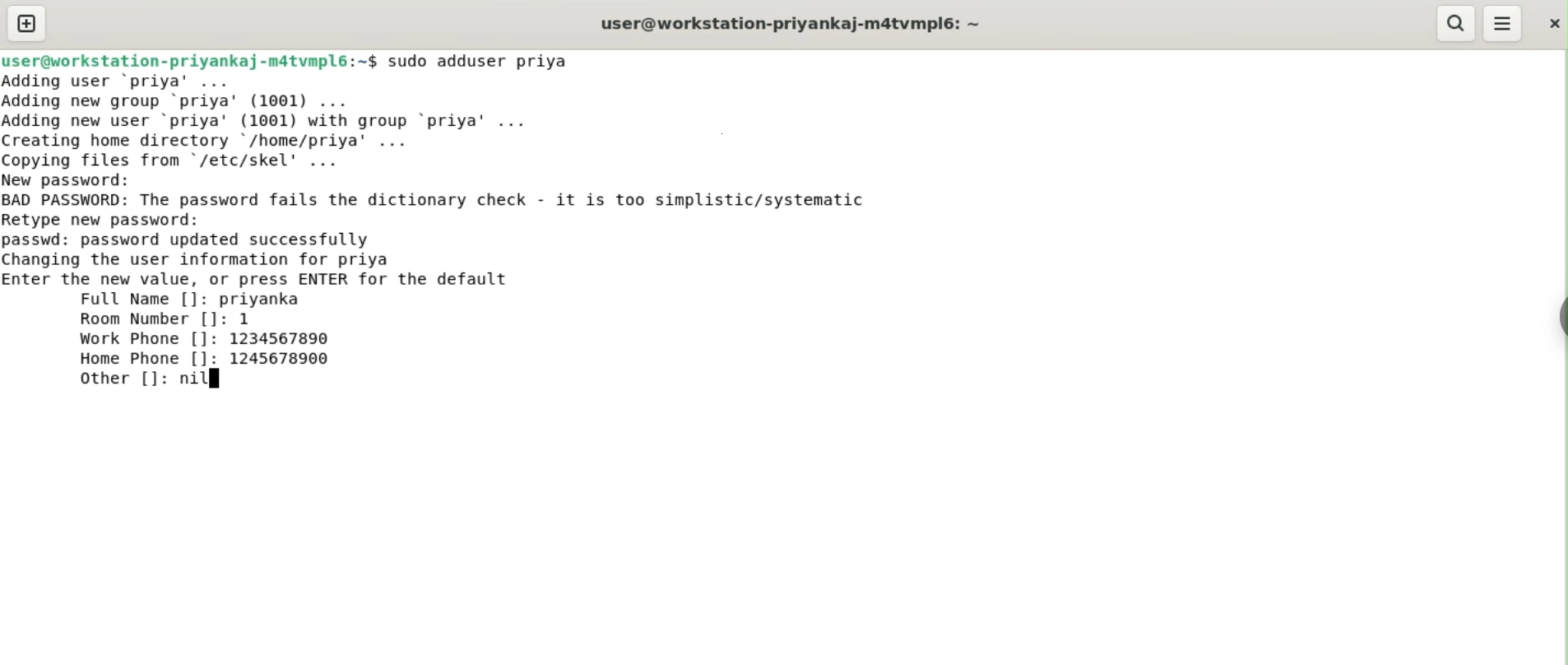  Describe the element at coordinates (489, 61) in the screenshot. I see `sudo adduser priya` at that location.